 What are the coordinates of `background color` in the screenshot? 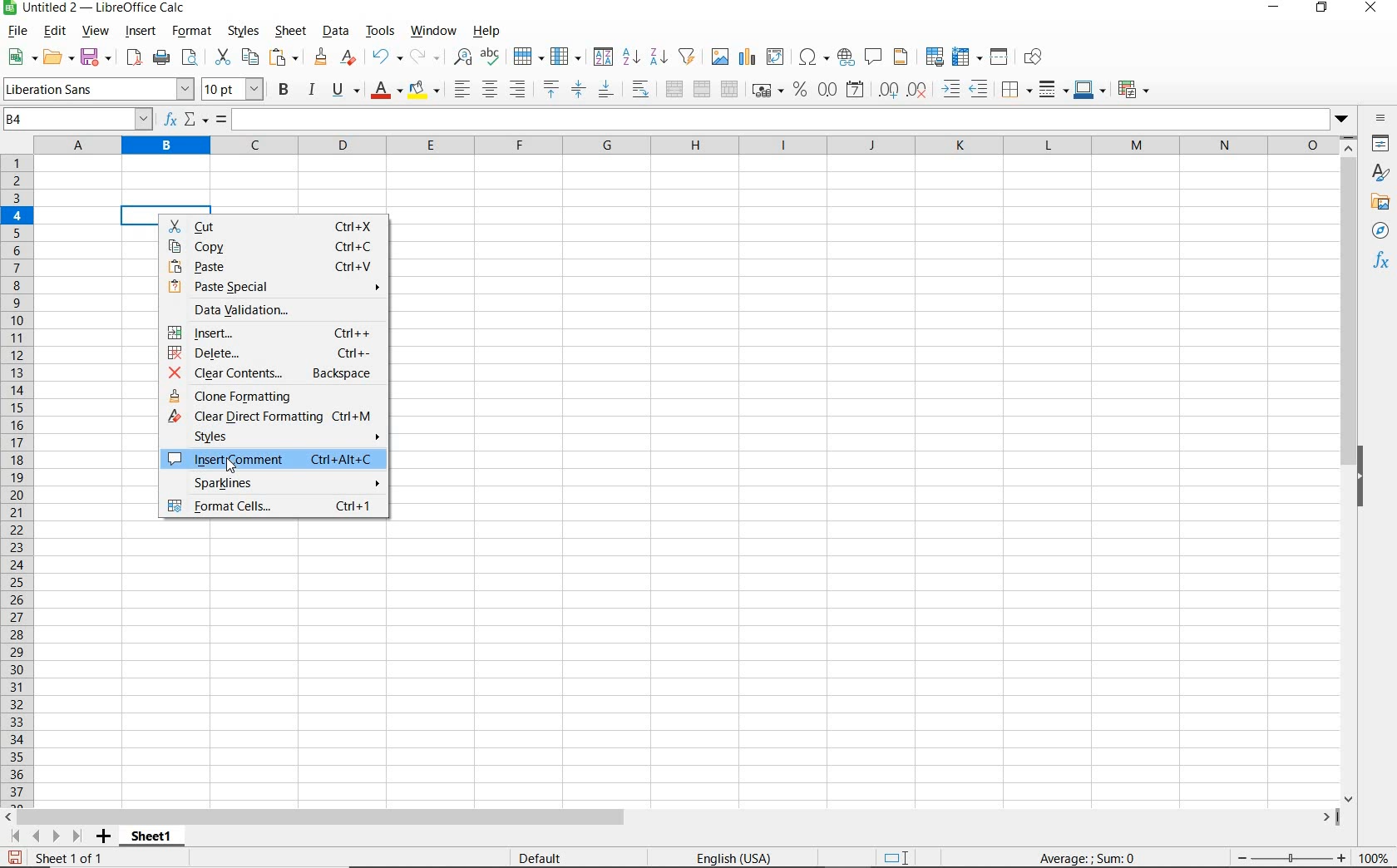 It's located at (423, 91).